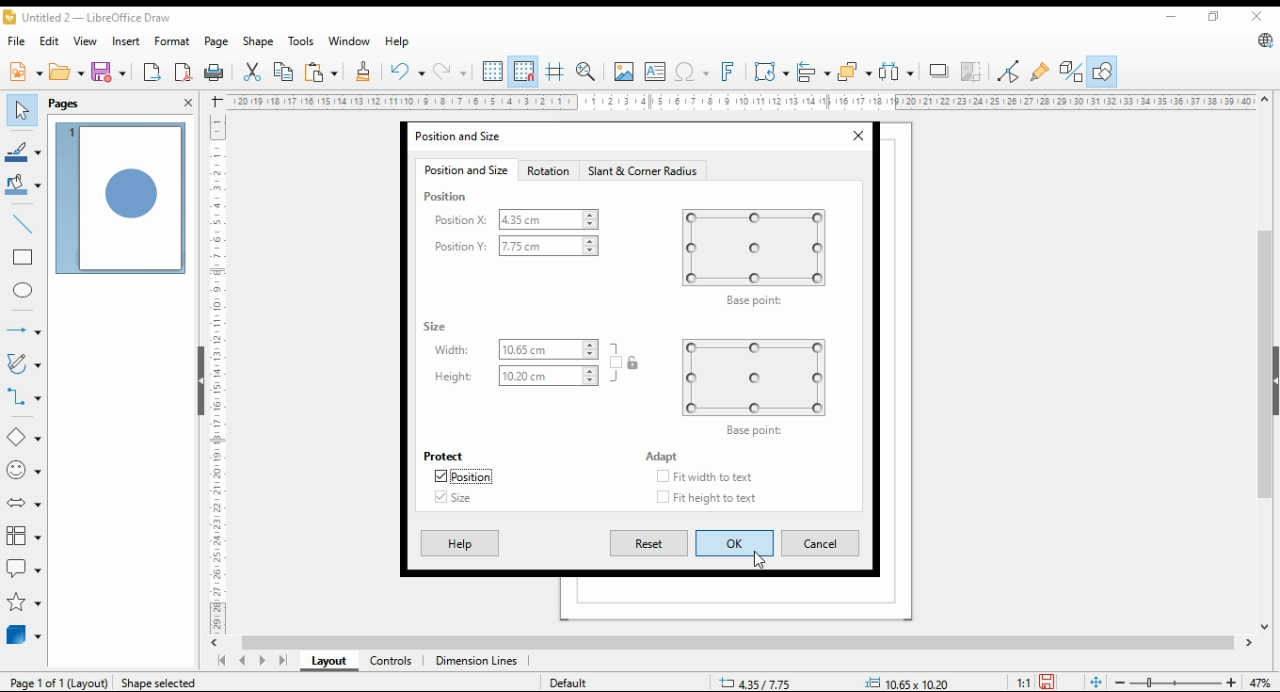 This screenshot has height=692, width=1280. Describe the element at coordinates (463, 477) in the screenshot. I see `position` at that location.